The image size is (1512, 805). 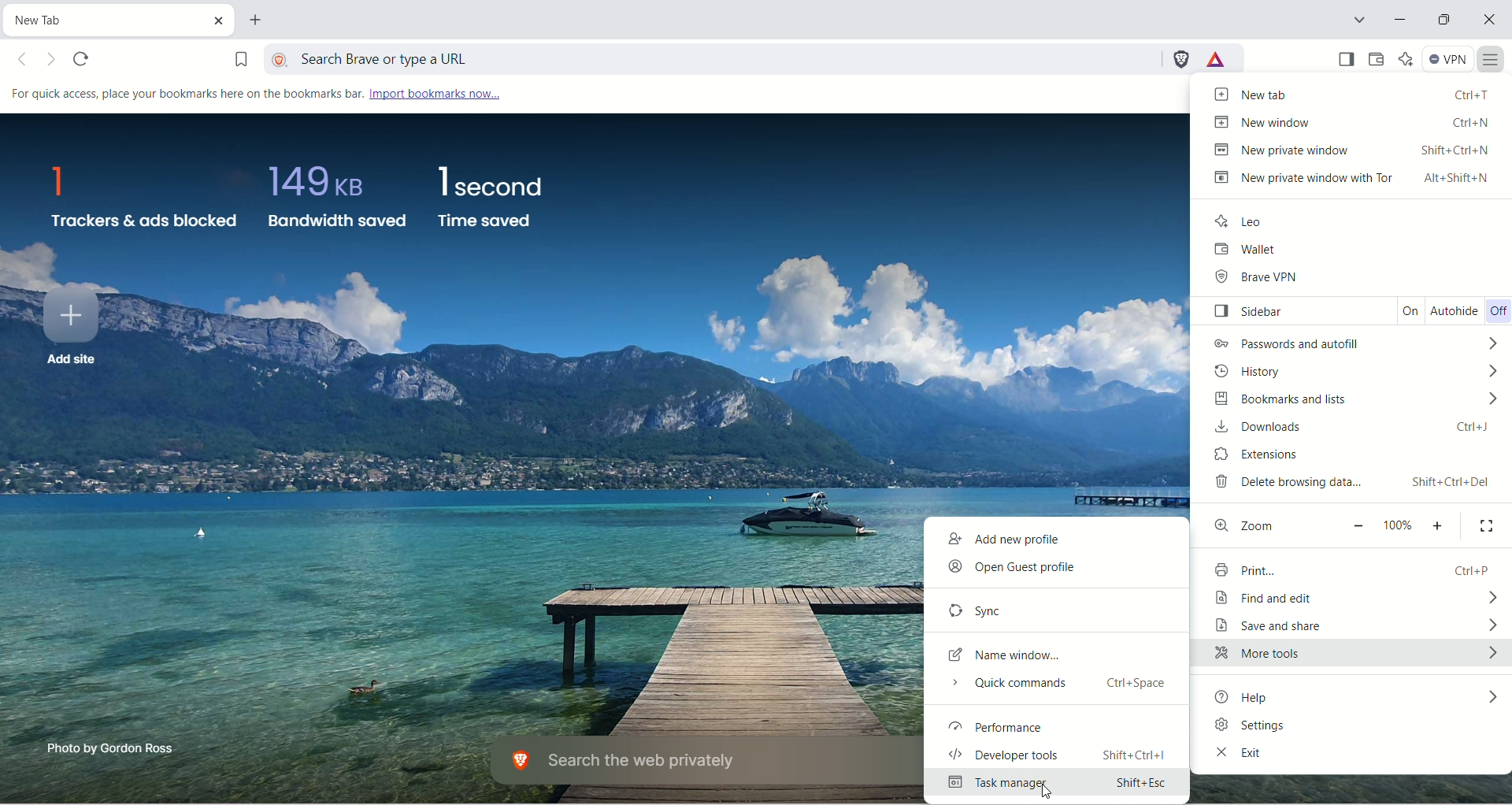 I want to click on Photo by Gordon Ross, so click(x=114, y=748).